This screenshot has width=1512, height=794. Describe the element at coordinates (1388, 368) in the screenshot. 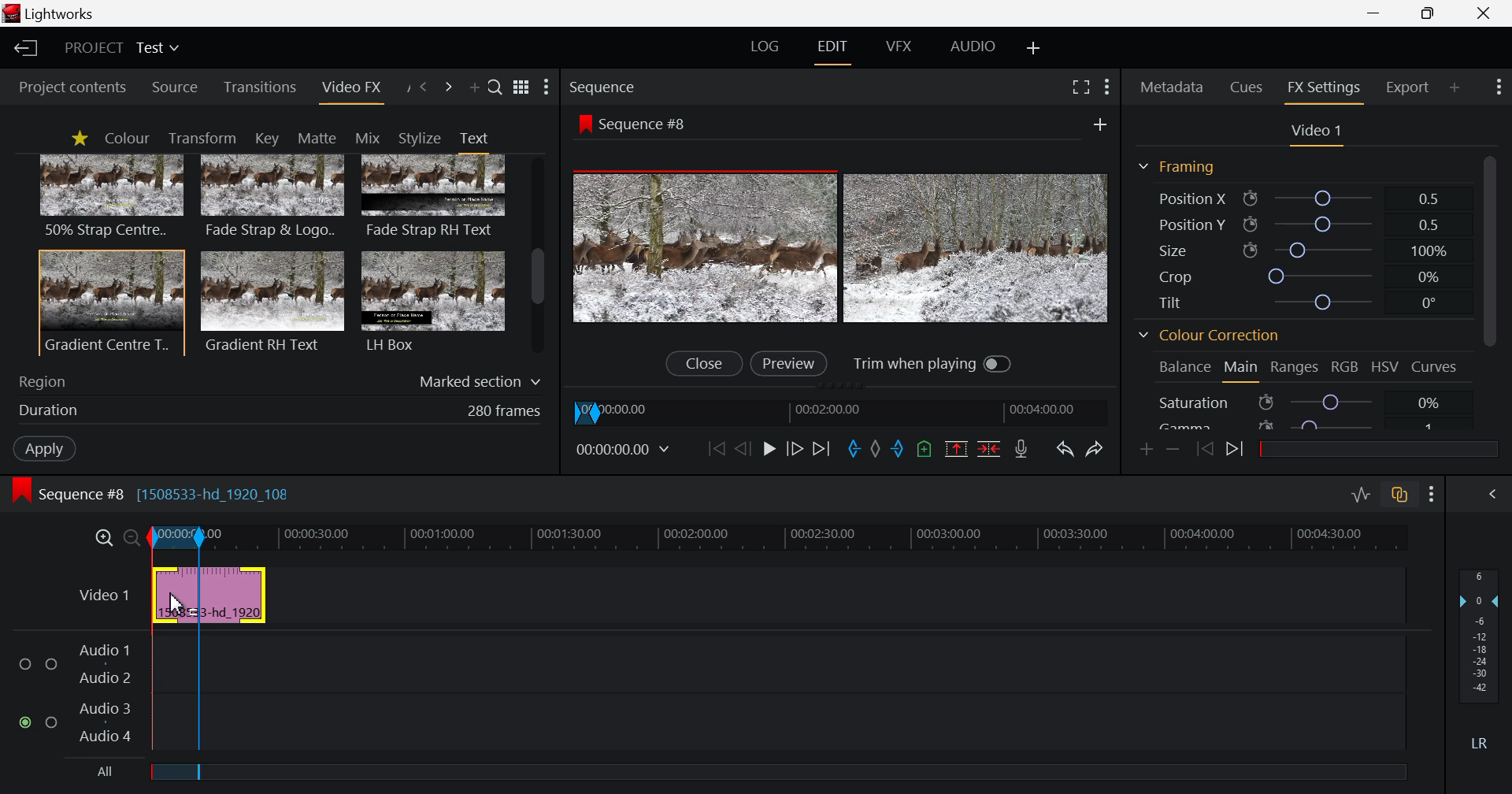

I see `HSV` at that location.